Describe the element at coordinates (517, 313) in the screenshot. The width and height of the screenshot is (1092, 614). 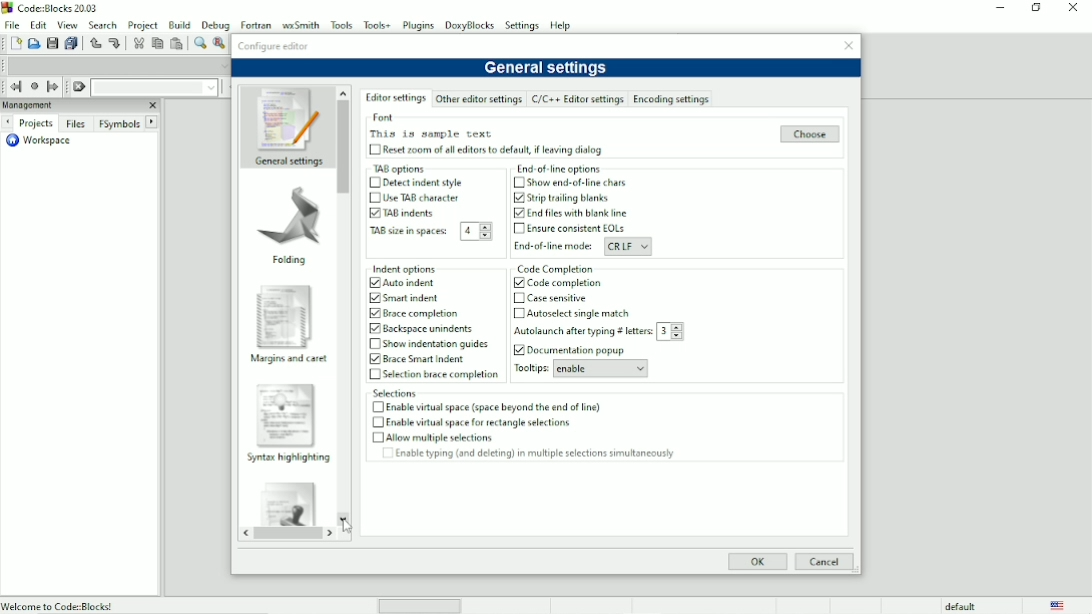
I see `` at that location.